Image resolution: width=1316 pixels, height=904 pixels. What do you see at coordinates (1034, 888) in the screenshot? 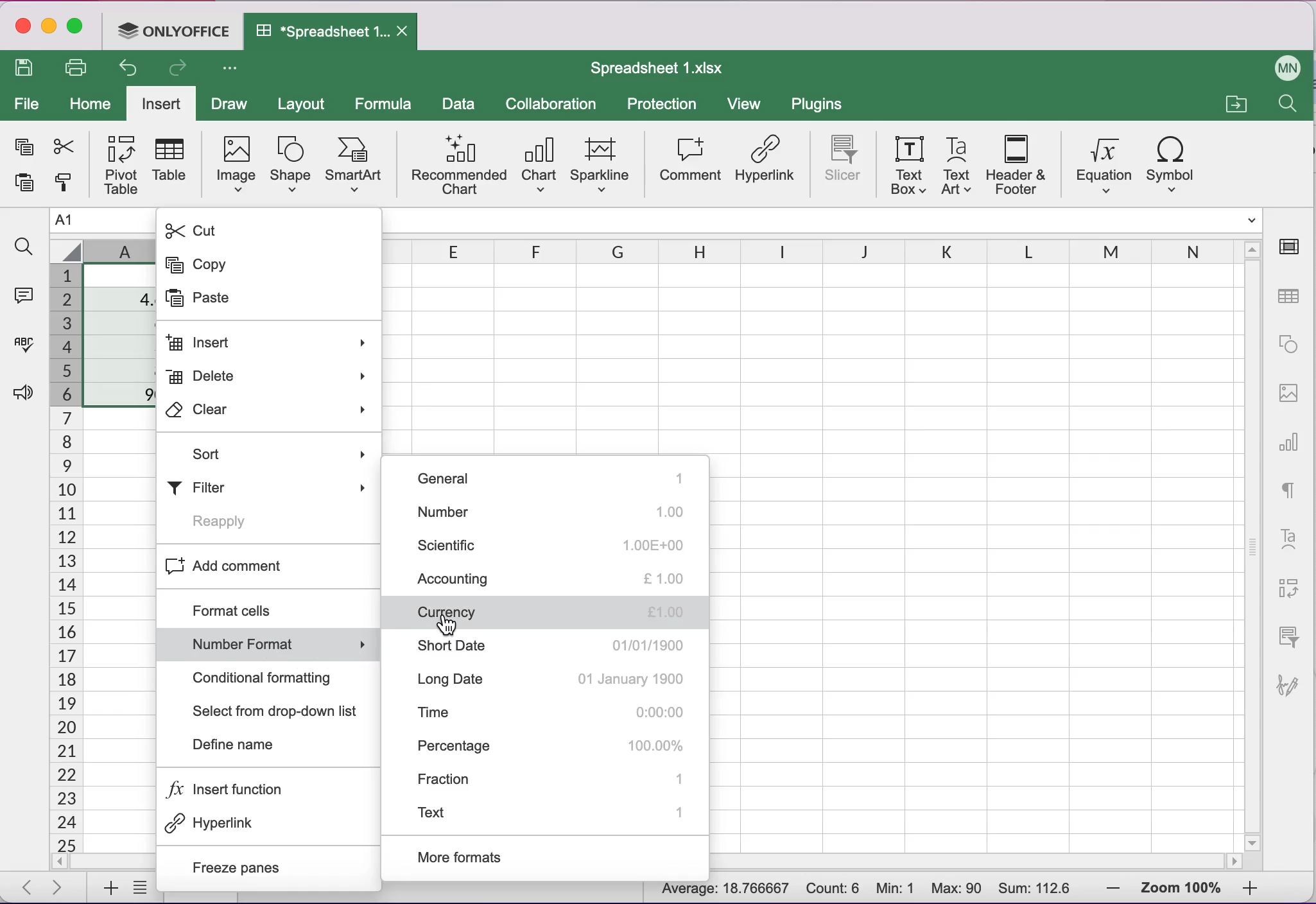
I see `Sum: 112.6` at bounding box center [1034, 888].